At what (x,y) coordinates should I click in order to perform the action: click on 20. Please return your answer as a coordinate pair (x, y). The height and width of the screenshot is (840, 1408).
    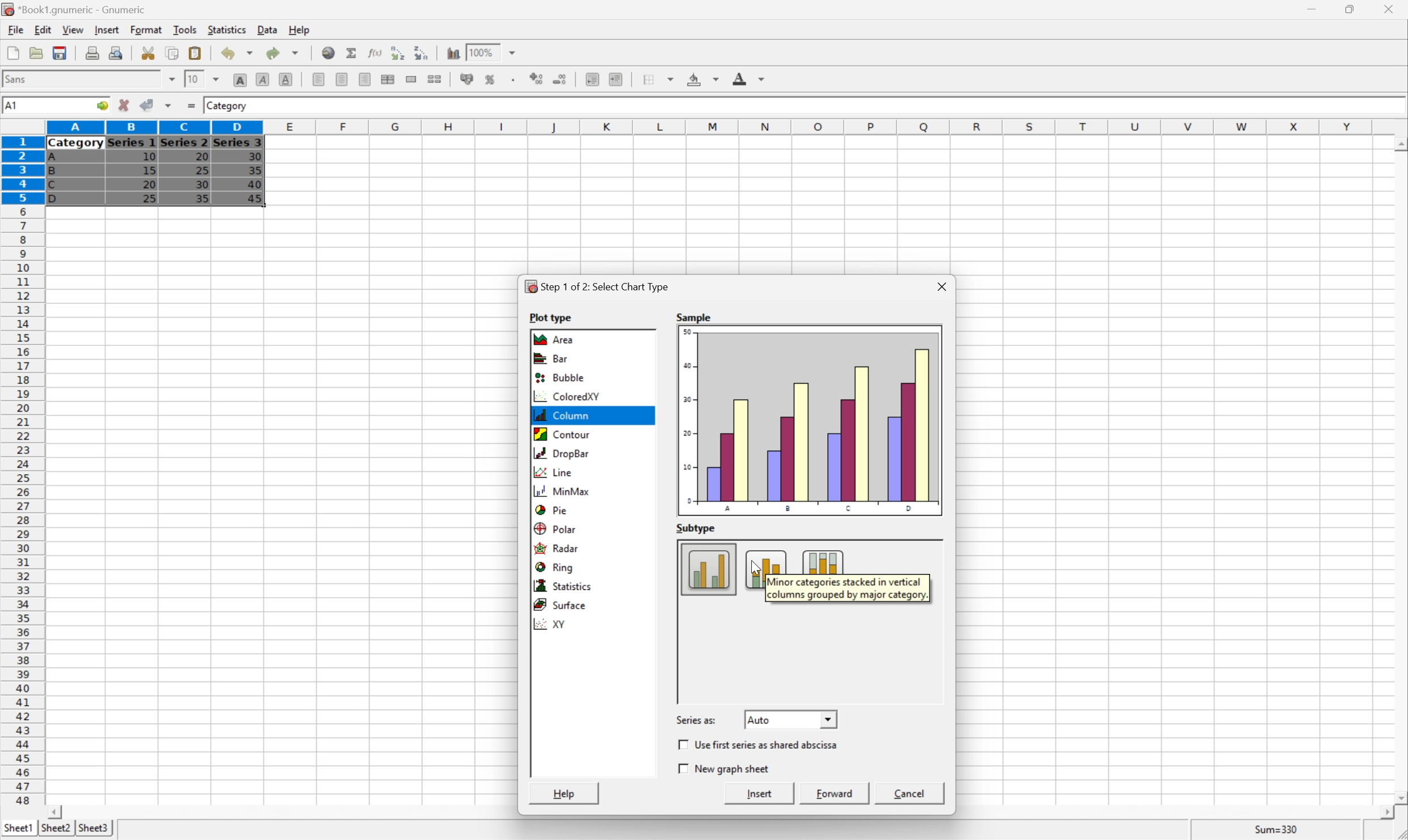
    Looking at the image, I should click on (149, 185).